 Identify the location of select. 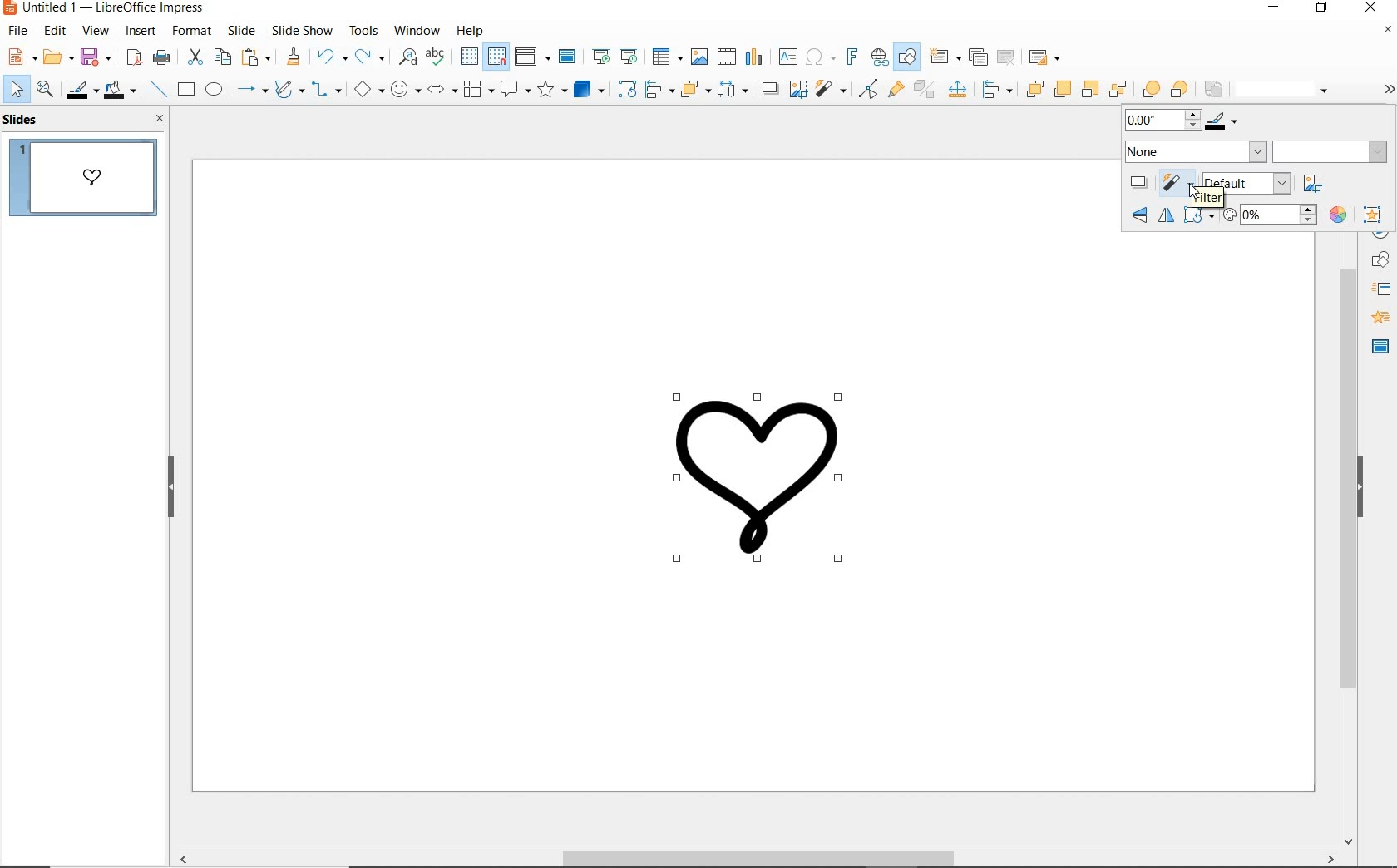
(16, 91).